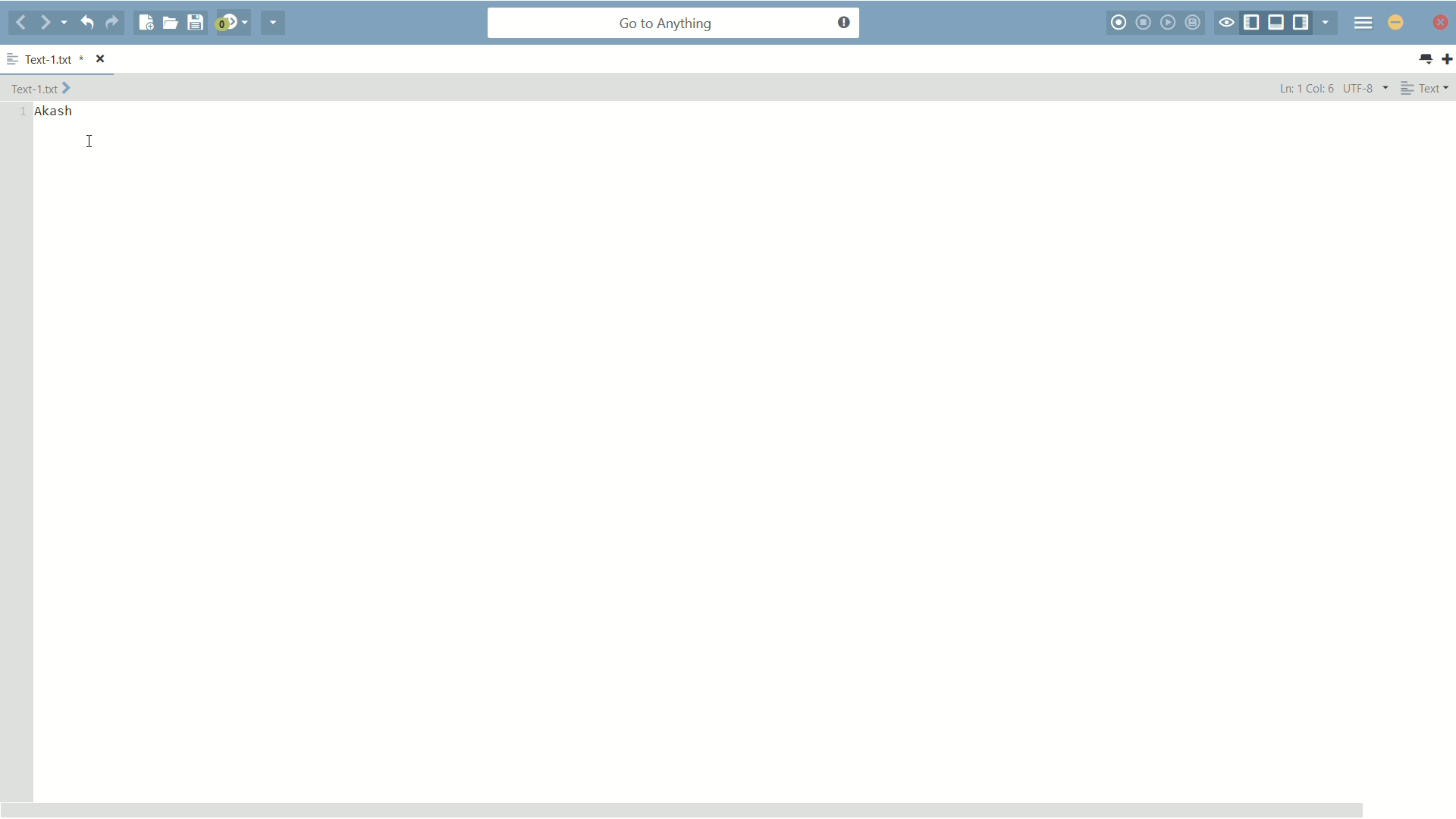  What do you see at coordinates (53, 23) in the screenshot?
I see `forward` at bounding box center [53, 23].